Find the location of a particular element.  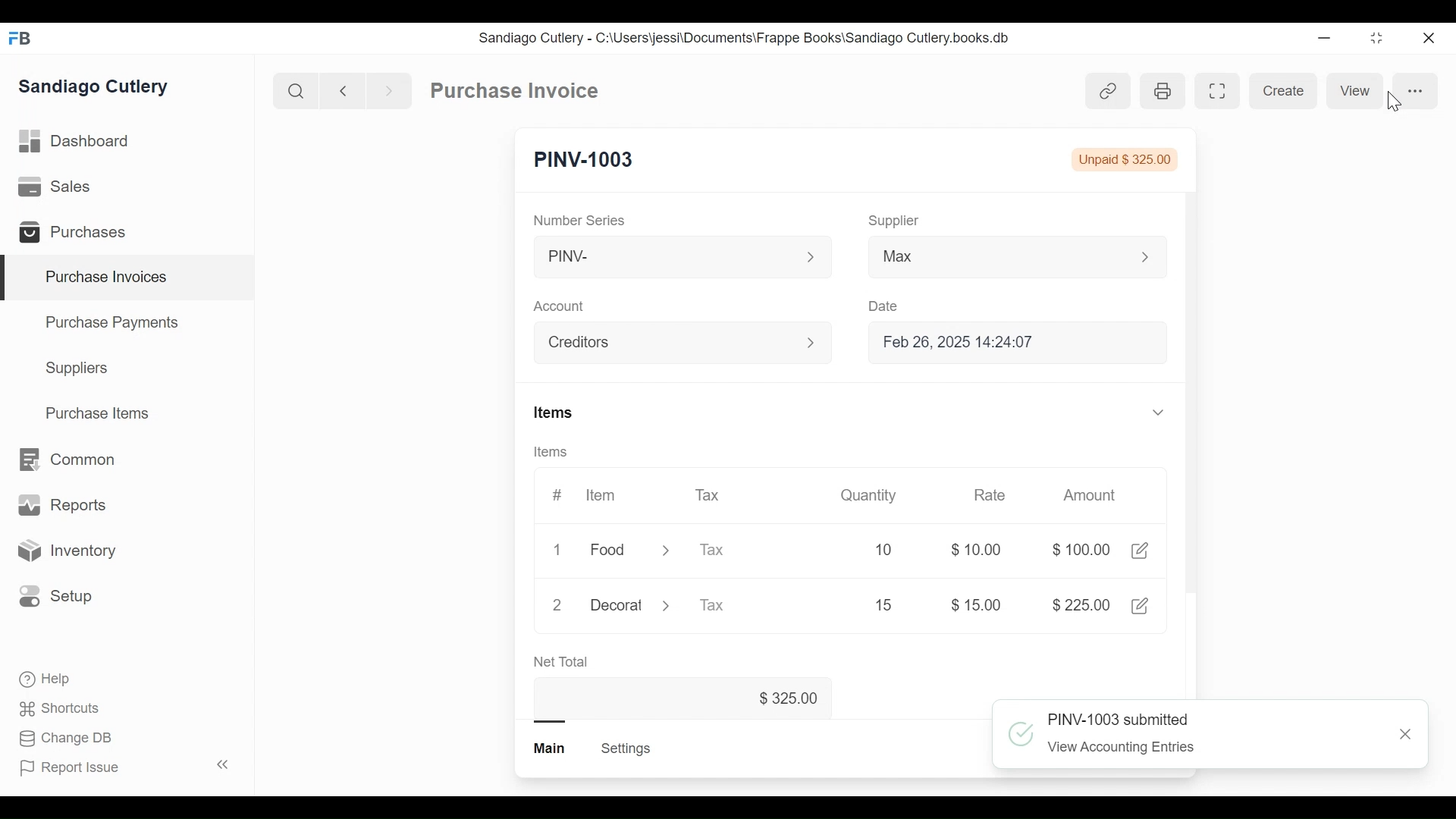

Quantity is located at coordinates (867, 495).